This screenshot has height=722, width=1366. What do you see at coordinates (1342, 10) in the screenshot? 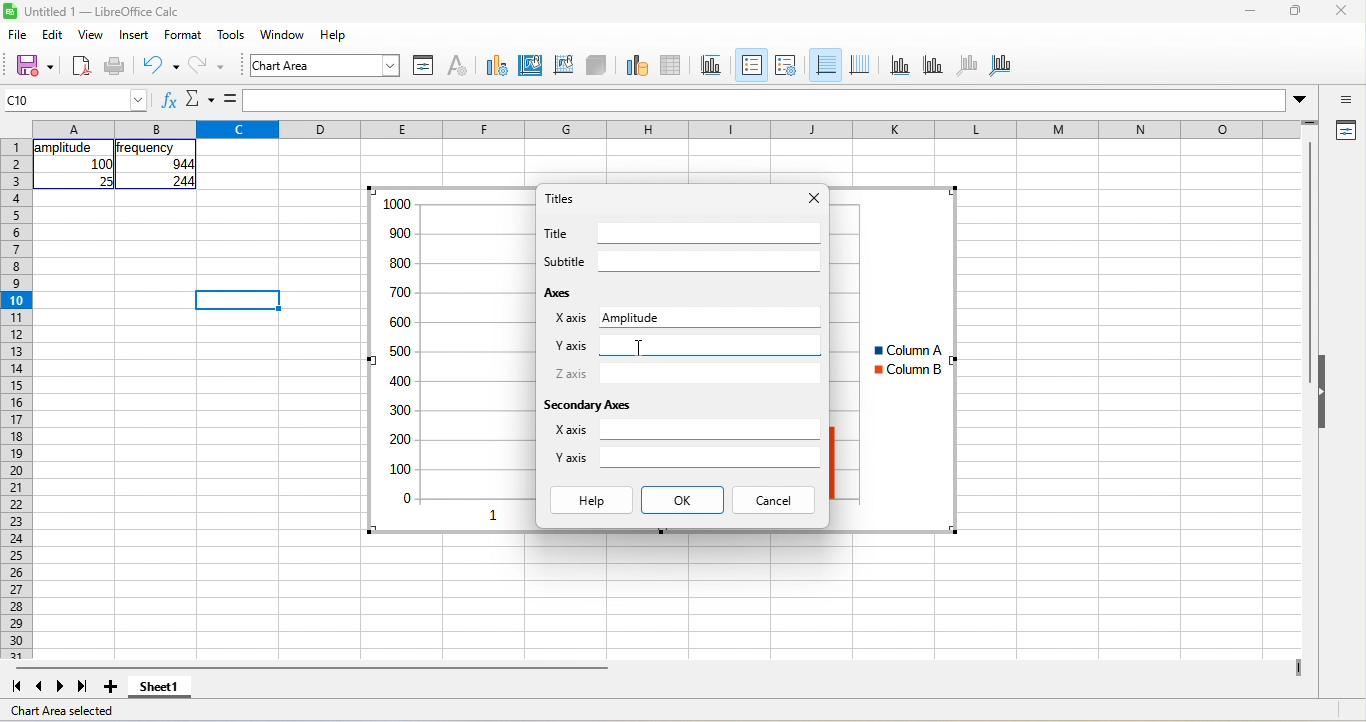
I see `close` at bounding box center [1342, 10].